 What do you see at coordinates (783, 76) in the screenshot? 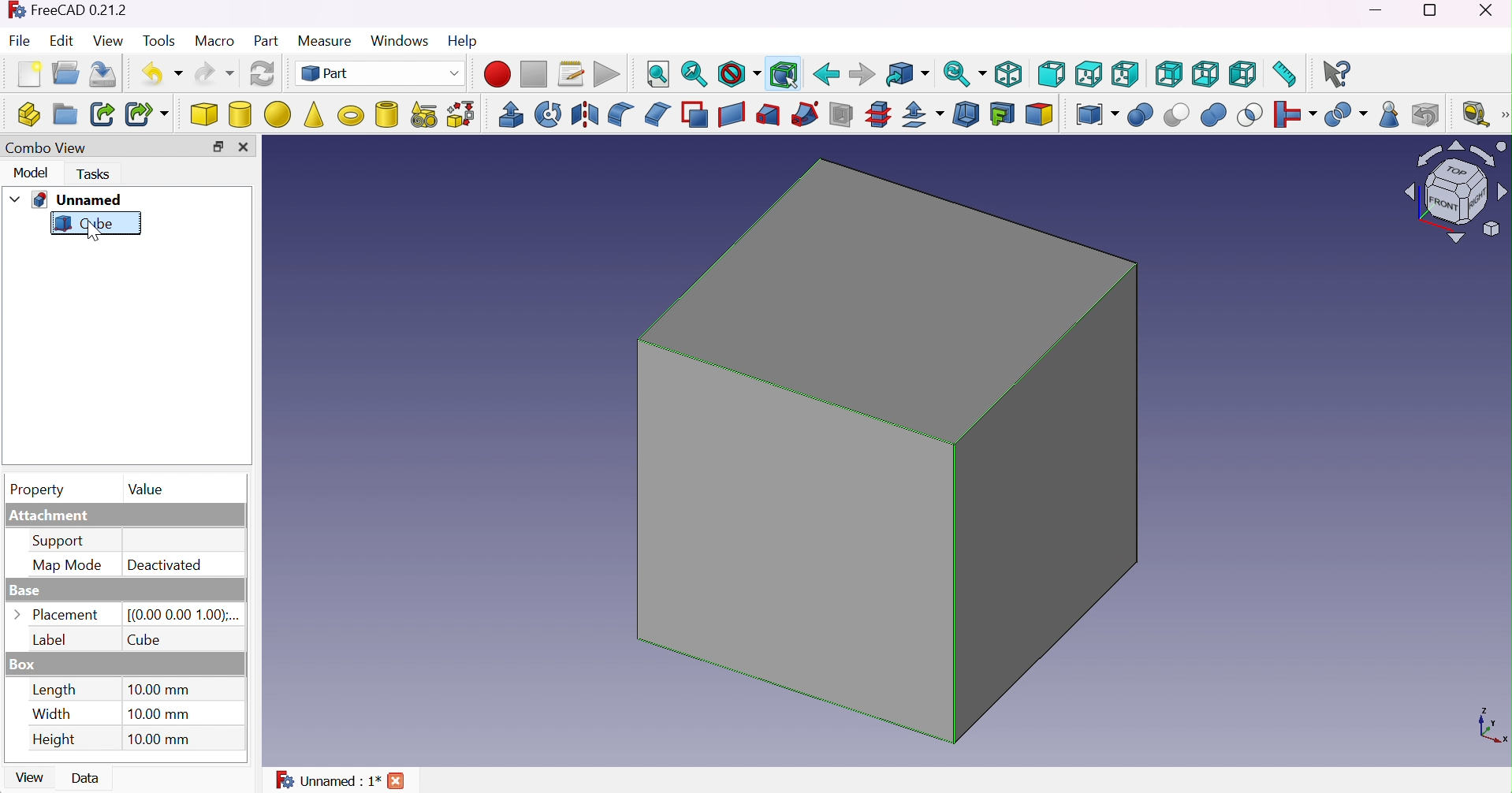
I see `Bounding box` at bounding box center [783, 76].